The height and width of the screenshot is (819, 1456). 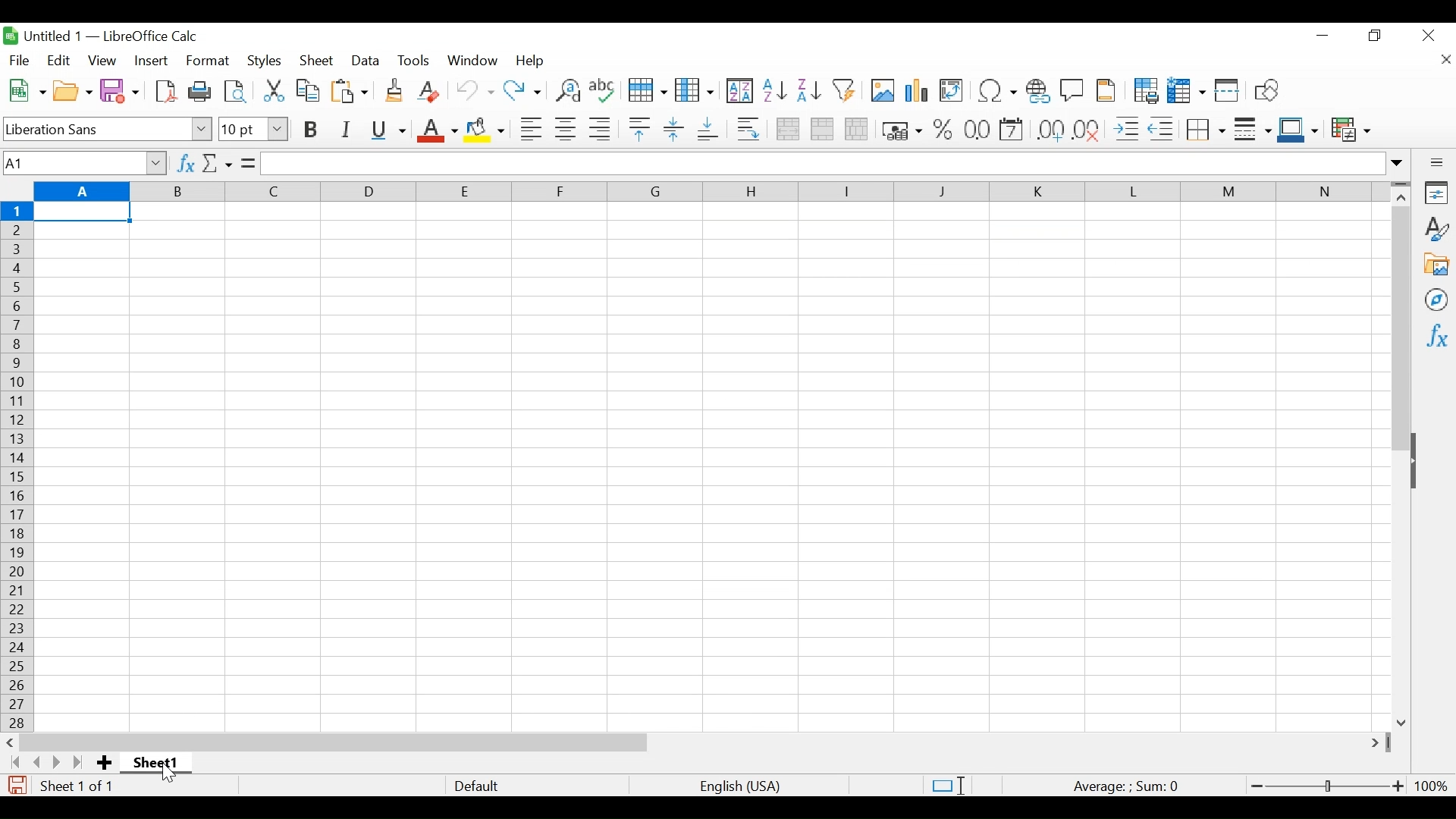 I want to click on Align Left, so click(x=531, y=129).